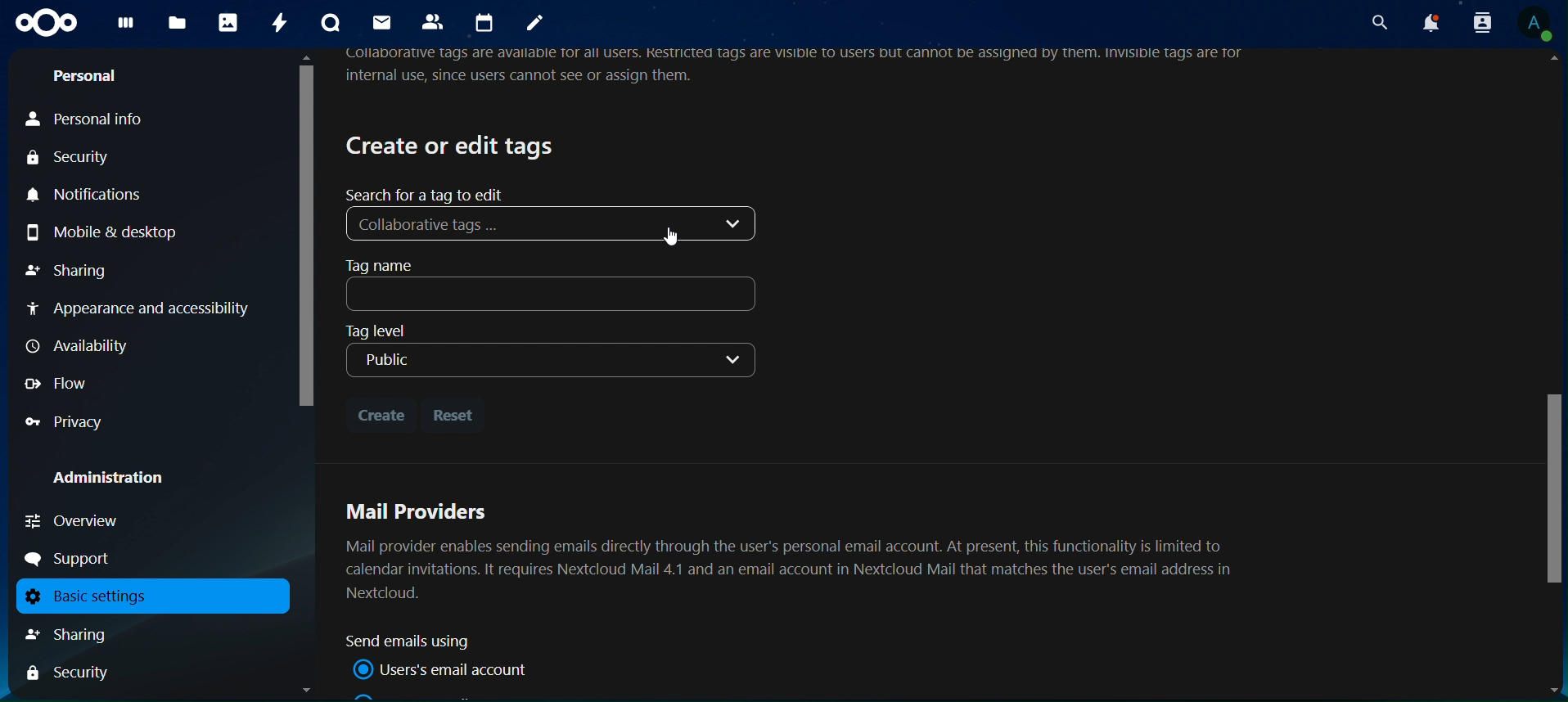 Image resolution: width=1568 pixels, height=702 pixels. Describe the element at coordinates (92, 196) in the screenshot. I see `notifications` at that location.